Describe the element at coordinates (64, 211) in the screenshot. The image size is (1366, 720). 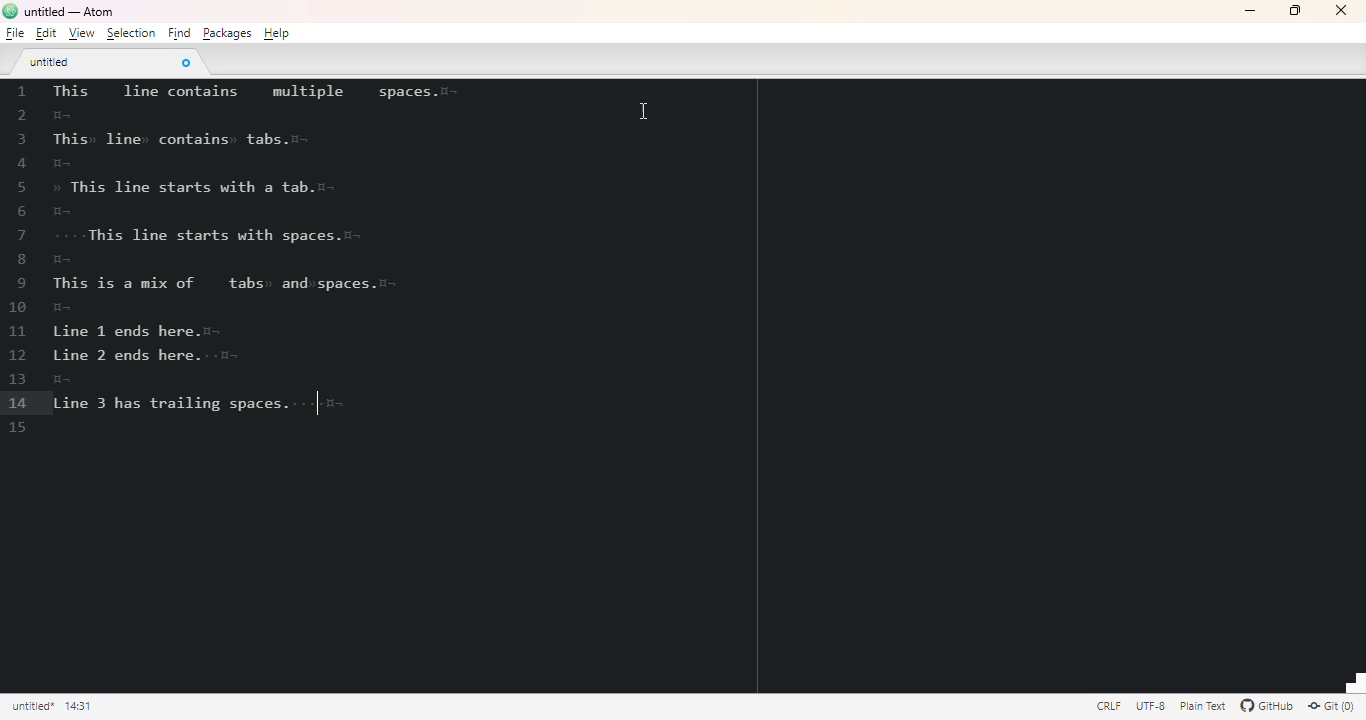
I see `invisible character` at that location.